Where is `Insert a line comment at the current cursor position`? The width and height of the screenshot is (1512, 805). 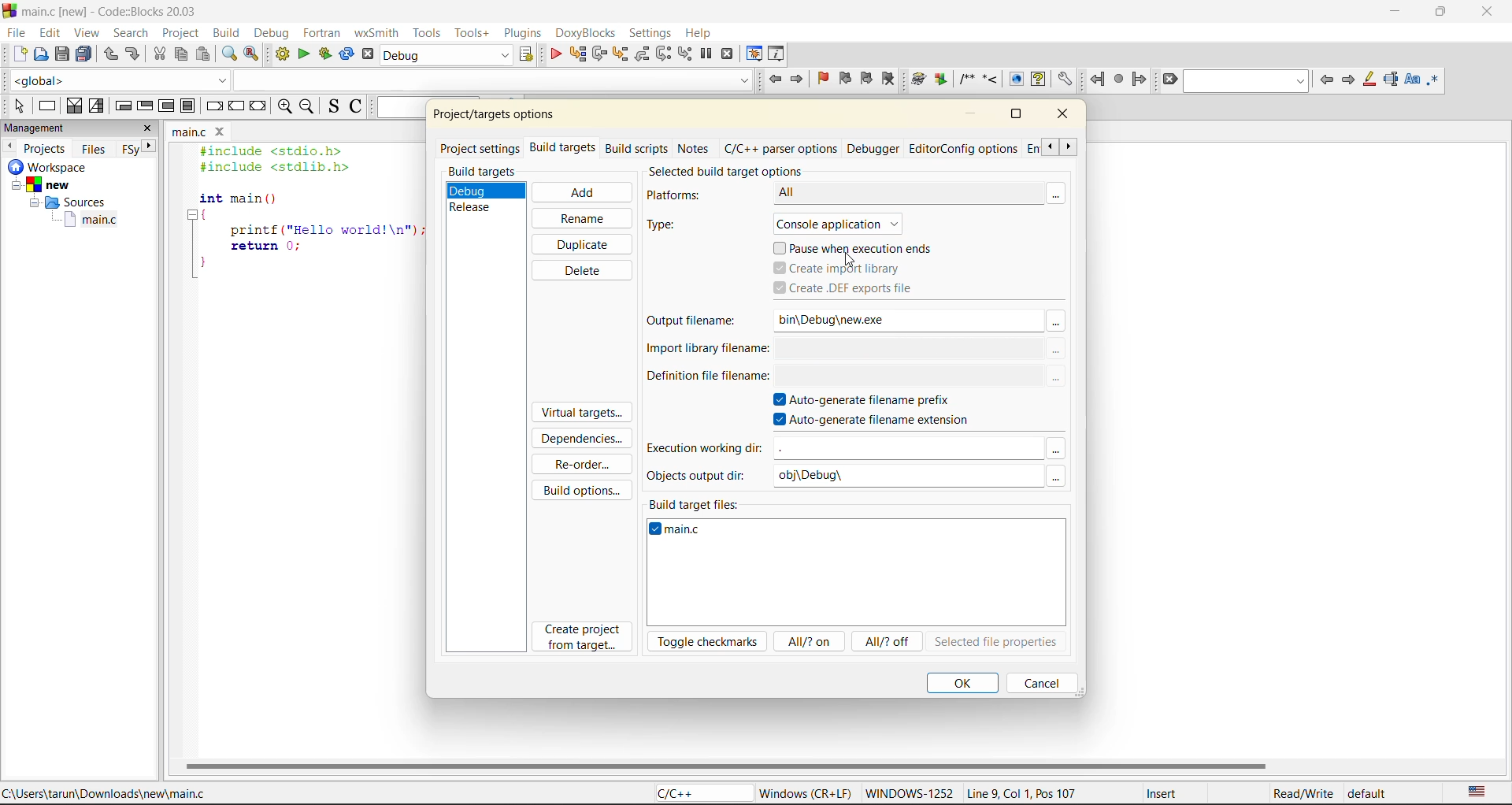 Insert a line comment at the current cursor position is located at coordinates (990, 79).